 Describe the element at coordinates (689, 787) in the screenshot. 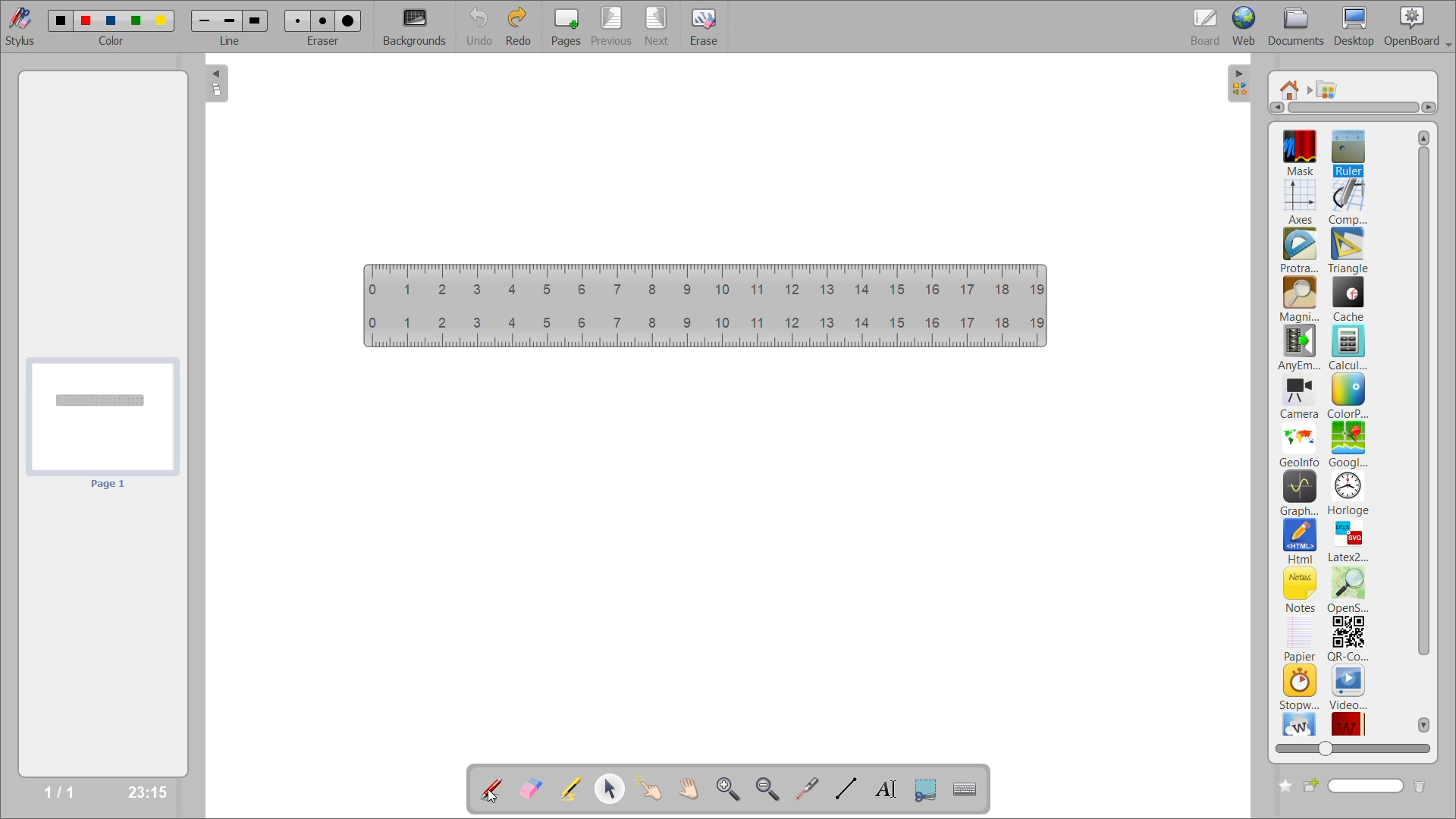

I see `scroll page` at that location.